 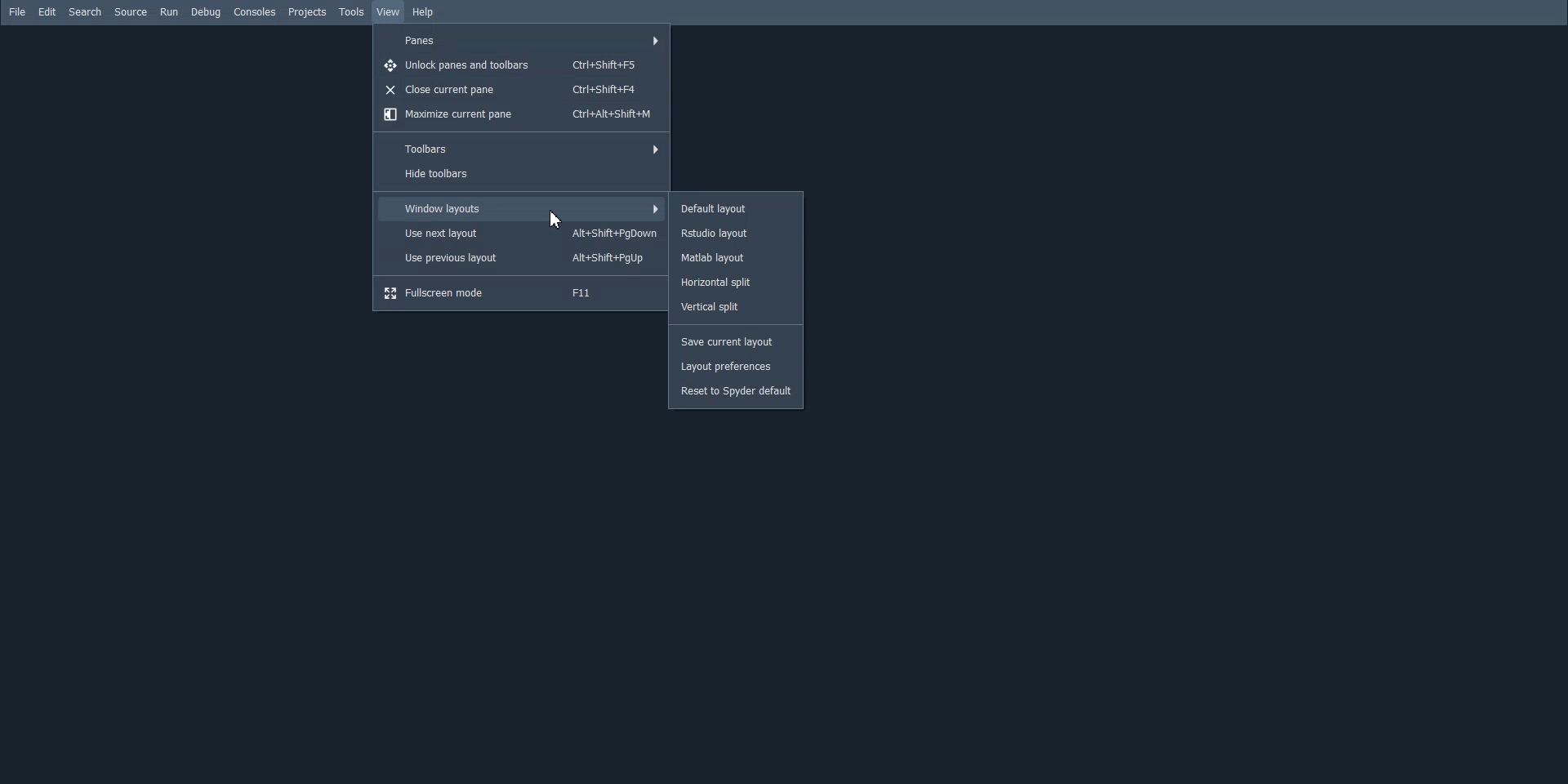 What do you see at coordinates (521, 208) in the screenshot?
I see `Window layout` at bounding box center [521, 208].